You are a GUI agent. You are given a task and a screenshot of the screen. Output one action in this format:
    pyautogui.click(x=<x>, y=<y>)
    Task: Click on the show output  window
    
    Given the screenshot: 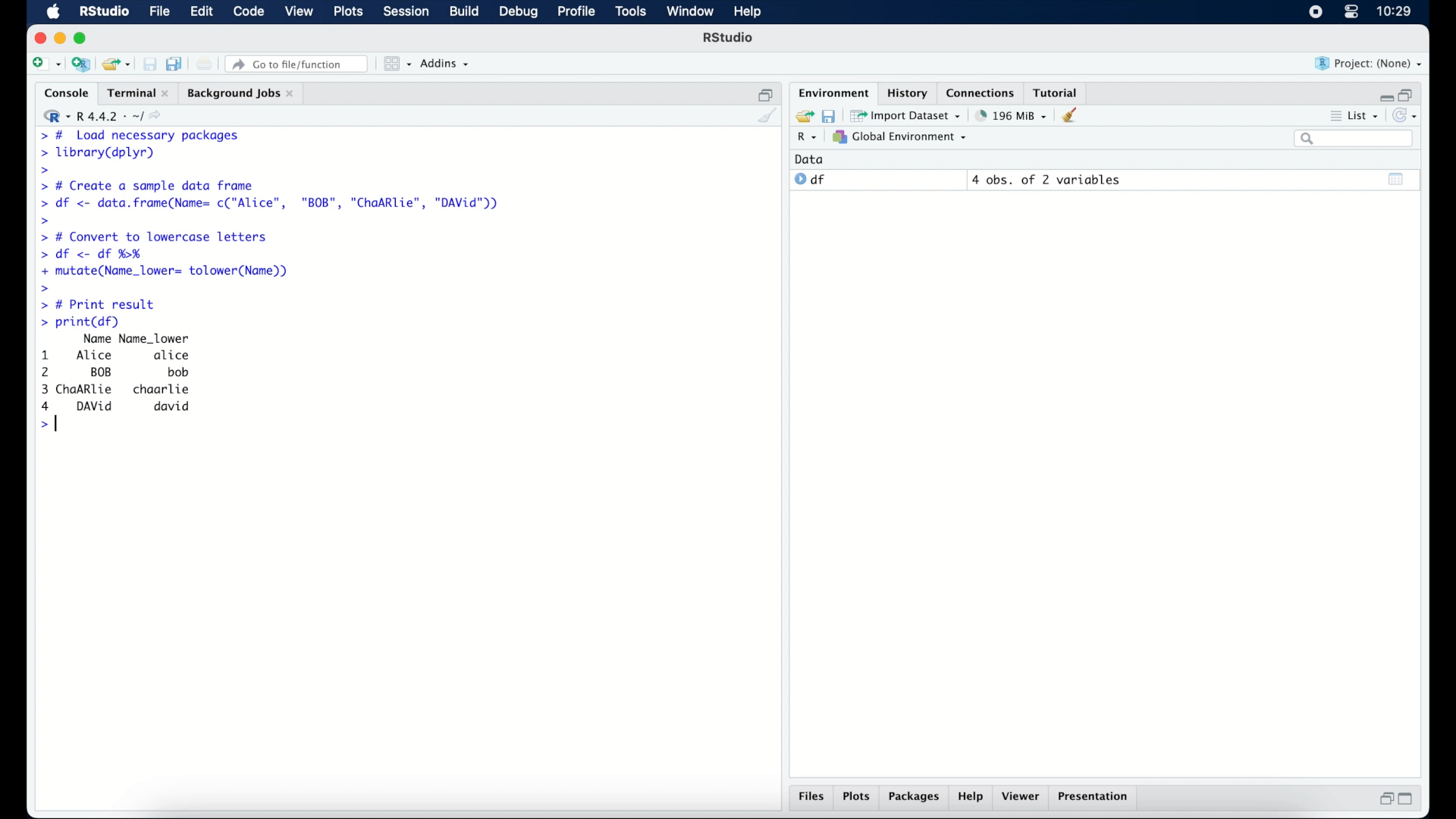 What is the action you would take?
    pyautogui.click(x=1397, y=178)
    